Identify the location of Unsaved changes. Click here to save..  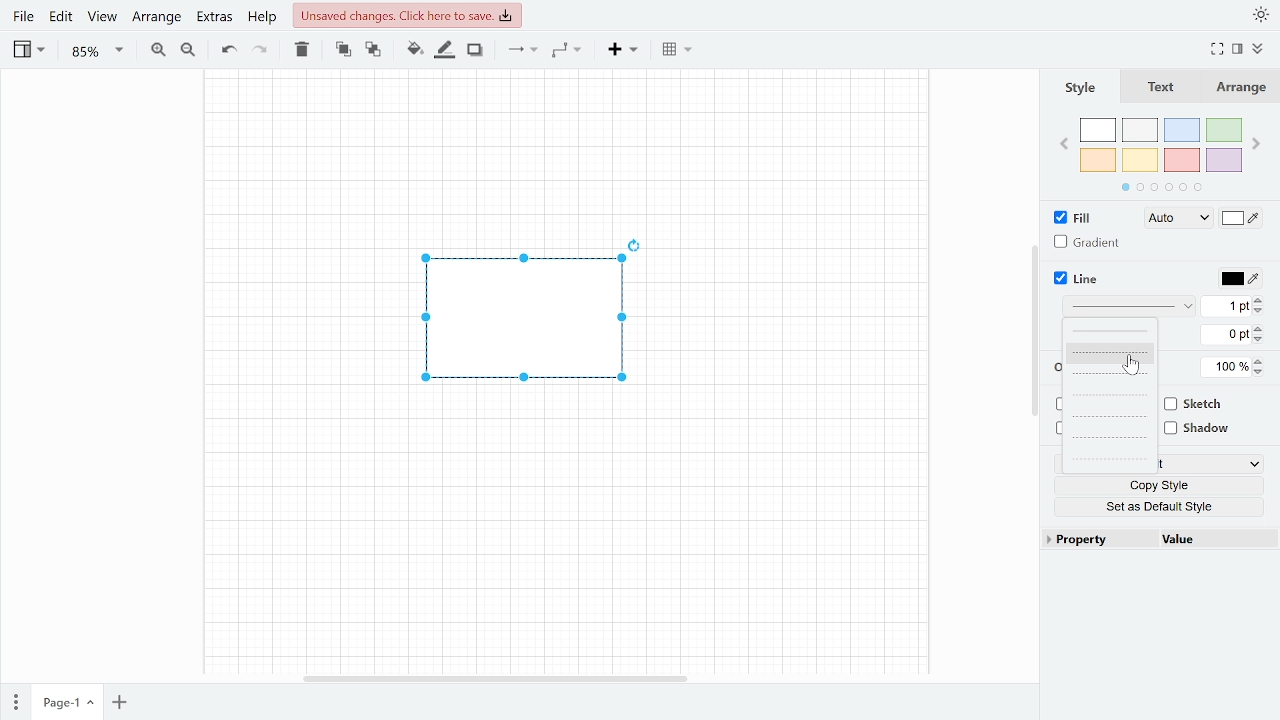
(408, 13).